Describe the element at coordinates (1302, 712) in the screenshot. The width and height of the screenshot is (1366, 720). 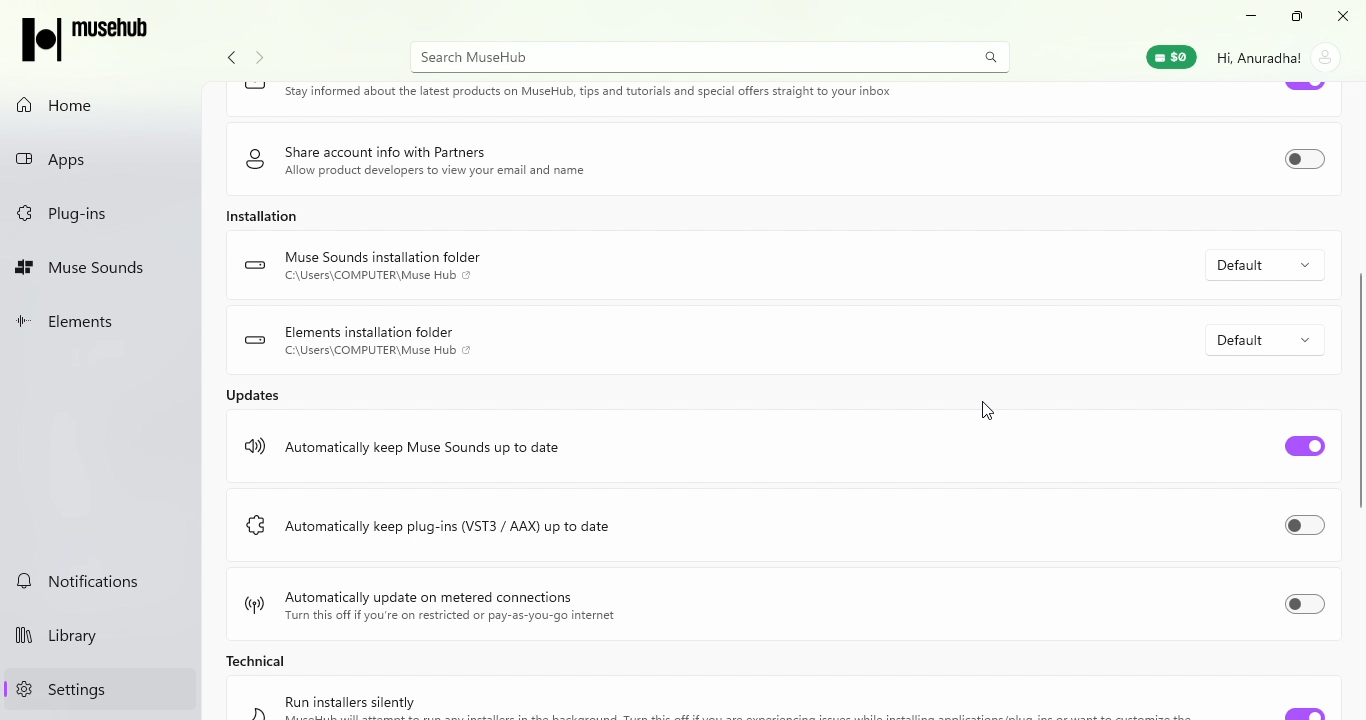
I see `Toggle` at that location.